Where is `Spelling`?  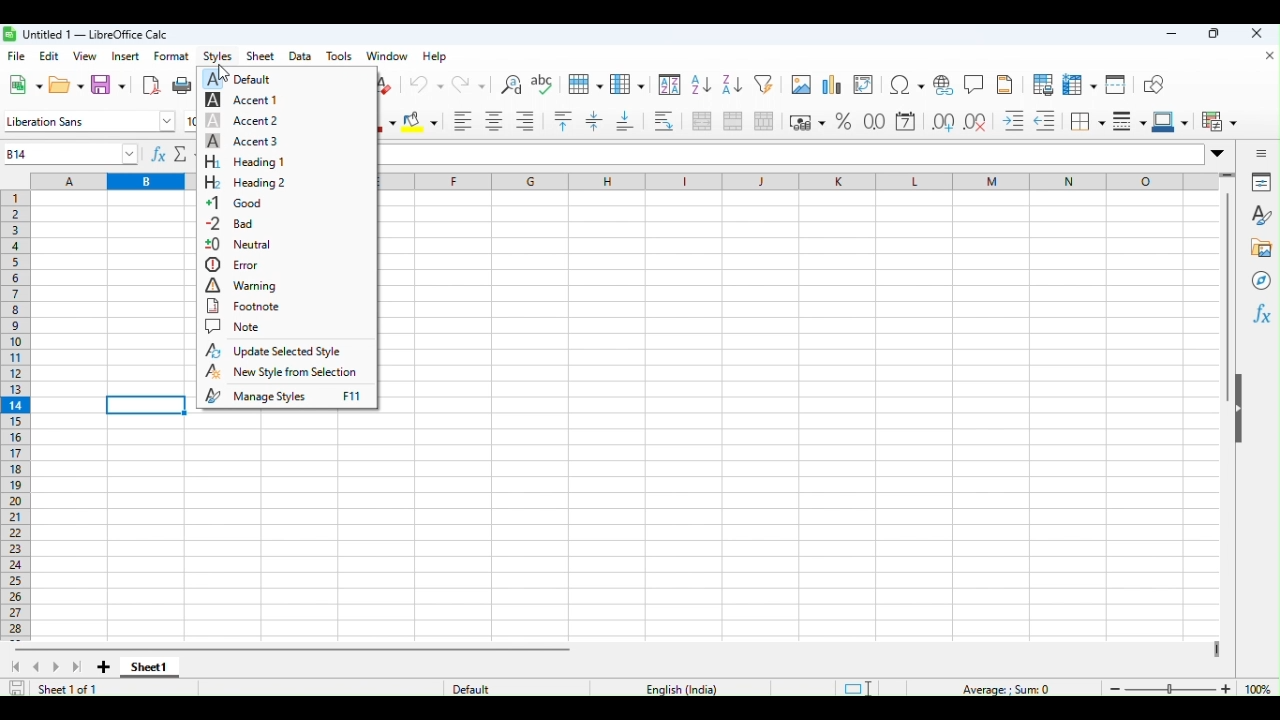 Spelling is located at coordinates (543, 83).